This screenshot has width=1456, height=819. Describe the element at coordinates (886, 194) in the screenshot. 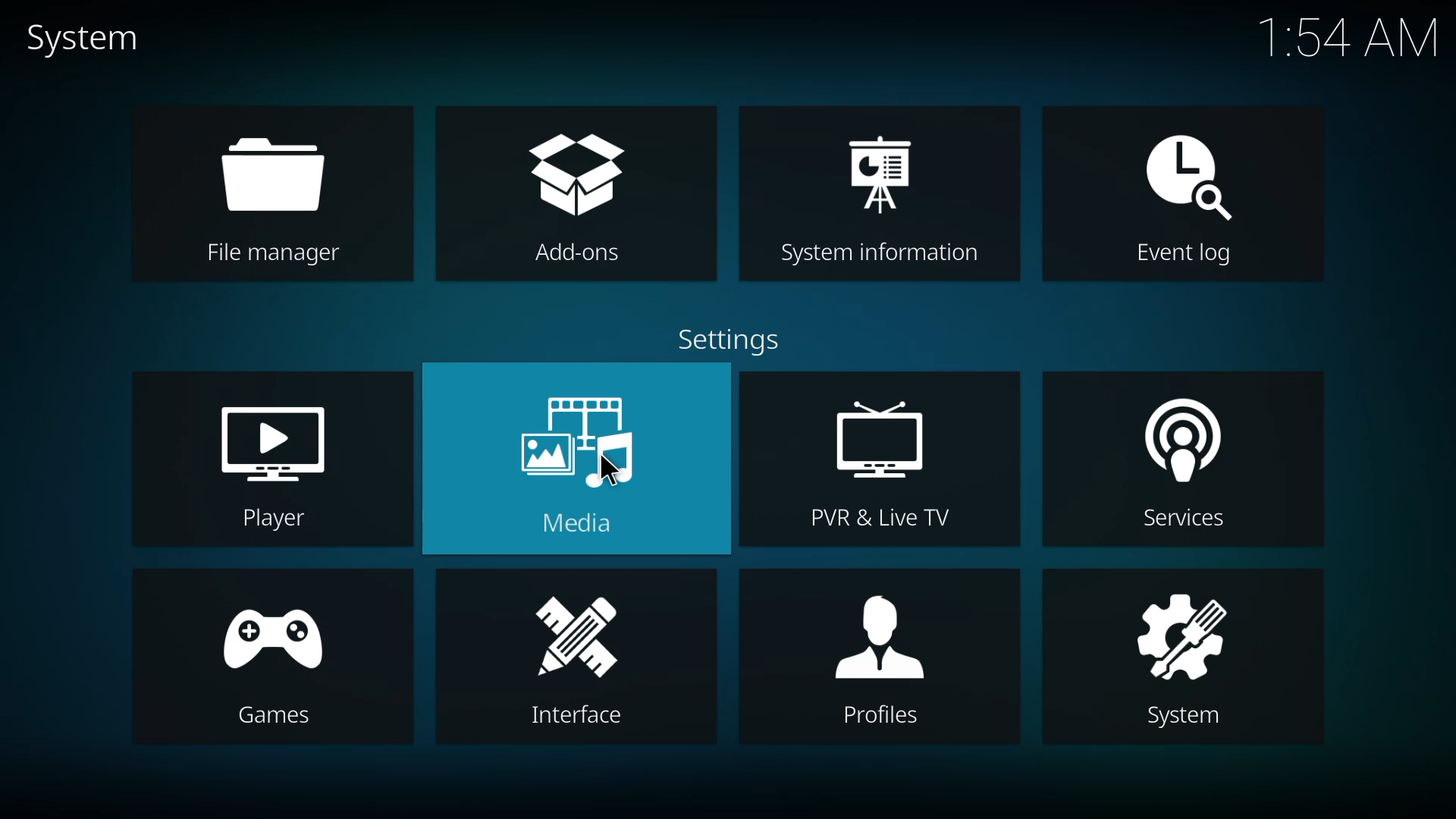

I see `system information` at that location.